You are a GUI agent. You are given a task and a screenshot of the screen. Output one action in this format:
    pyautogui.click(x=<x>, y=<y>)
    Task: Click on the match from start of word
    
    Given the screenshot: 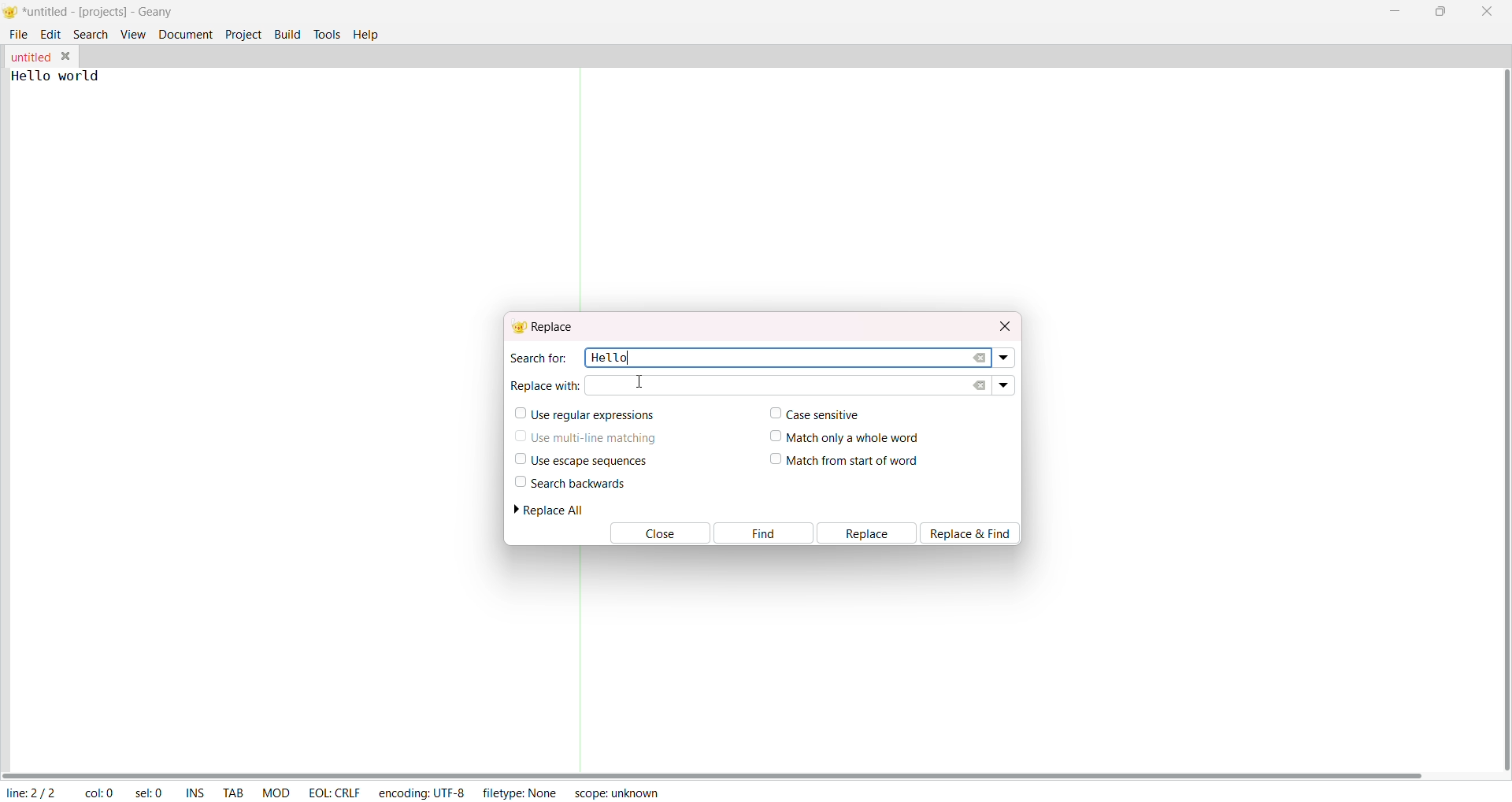 What is the action you would take?
    pyautogui.click(x=845, y=462)
    